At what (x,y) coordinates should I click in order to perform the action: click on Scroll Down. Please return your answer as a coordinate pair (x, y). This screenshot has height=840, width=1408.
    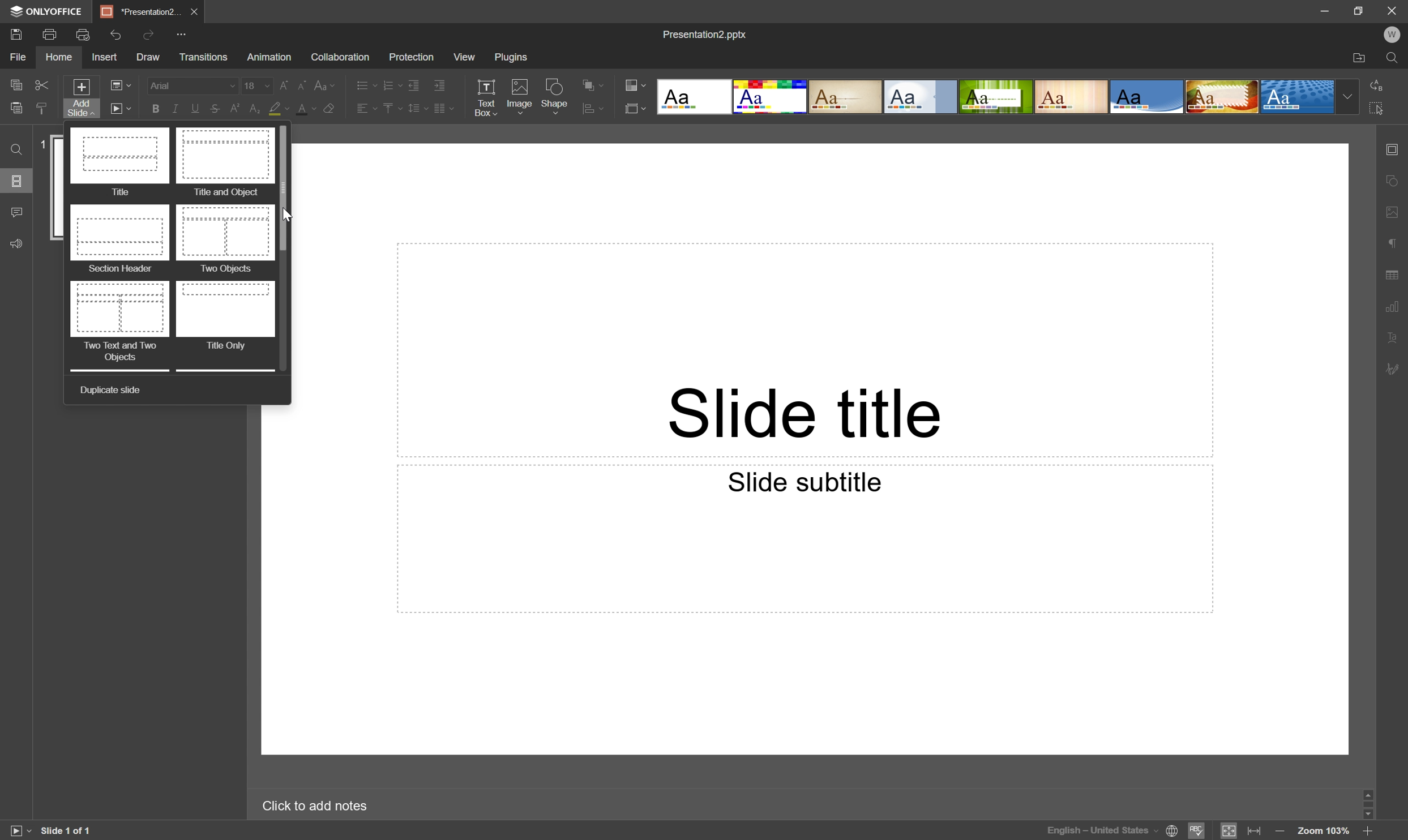
    Looking at the image, I should click on (1364, 811).